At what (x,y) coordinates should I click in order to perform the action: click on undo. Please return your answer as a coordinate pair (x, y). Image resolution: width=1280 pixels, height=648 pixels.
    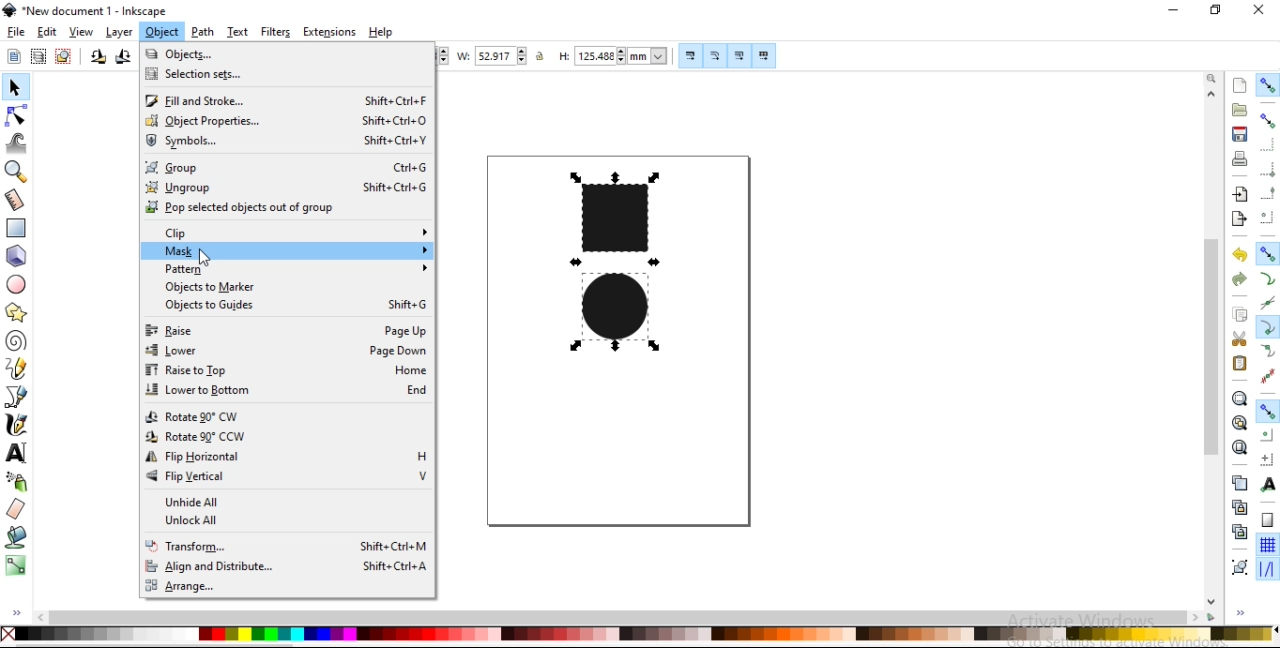
    Looking at the image, I should click on (1239, 255).